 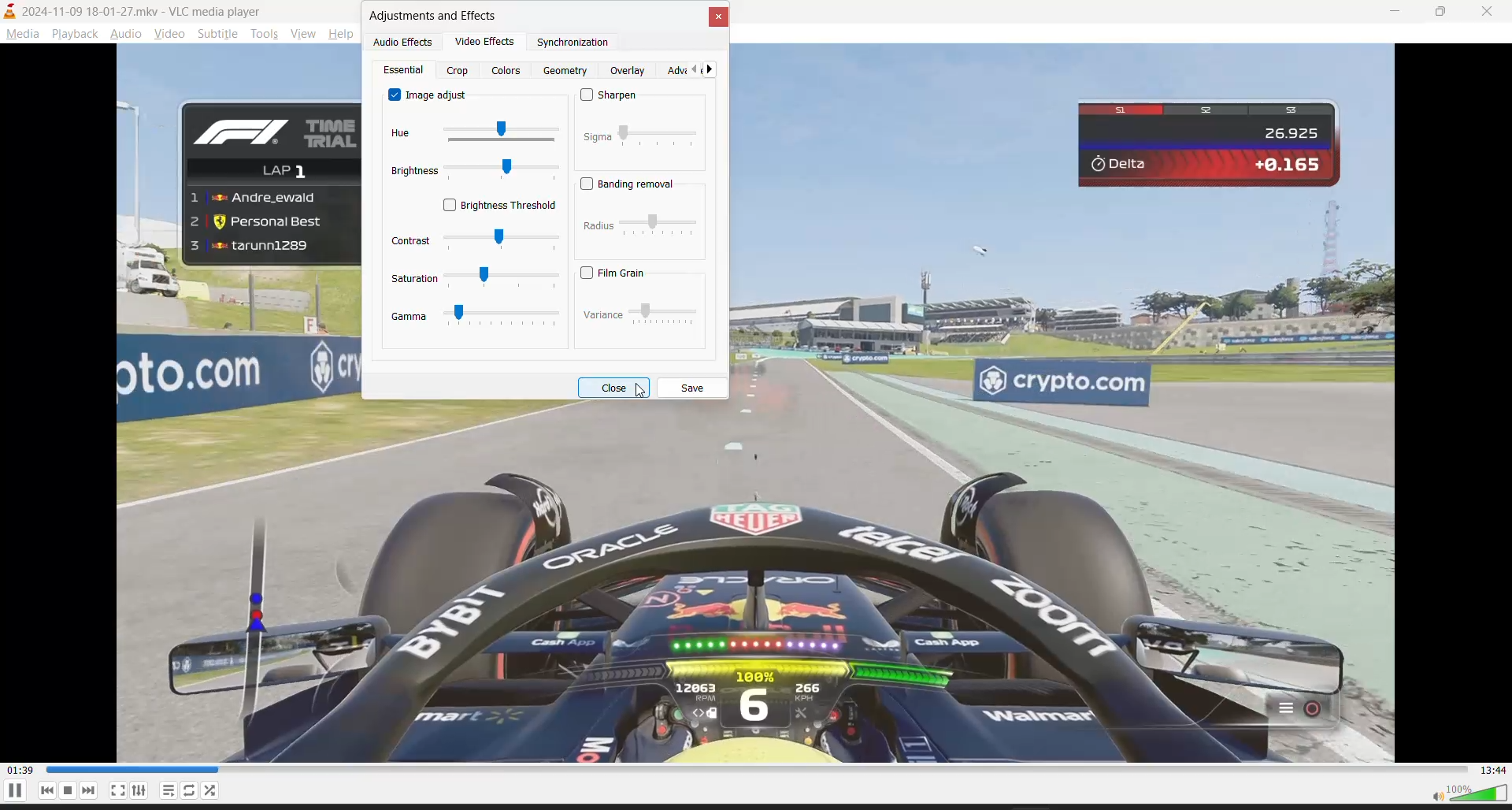 What do you see at coordinates (489, 41) in the screenshot?
I see `video effects` at bounding box center [489, 41].